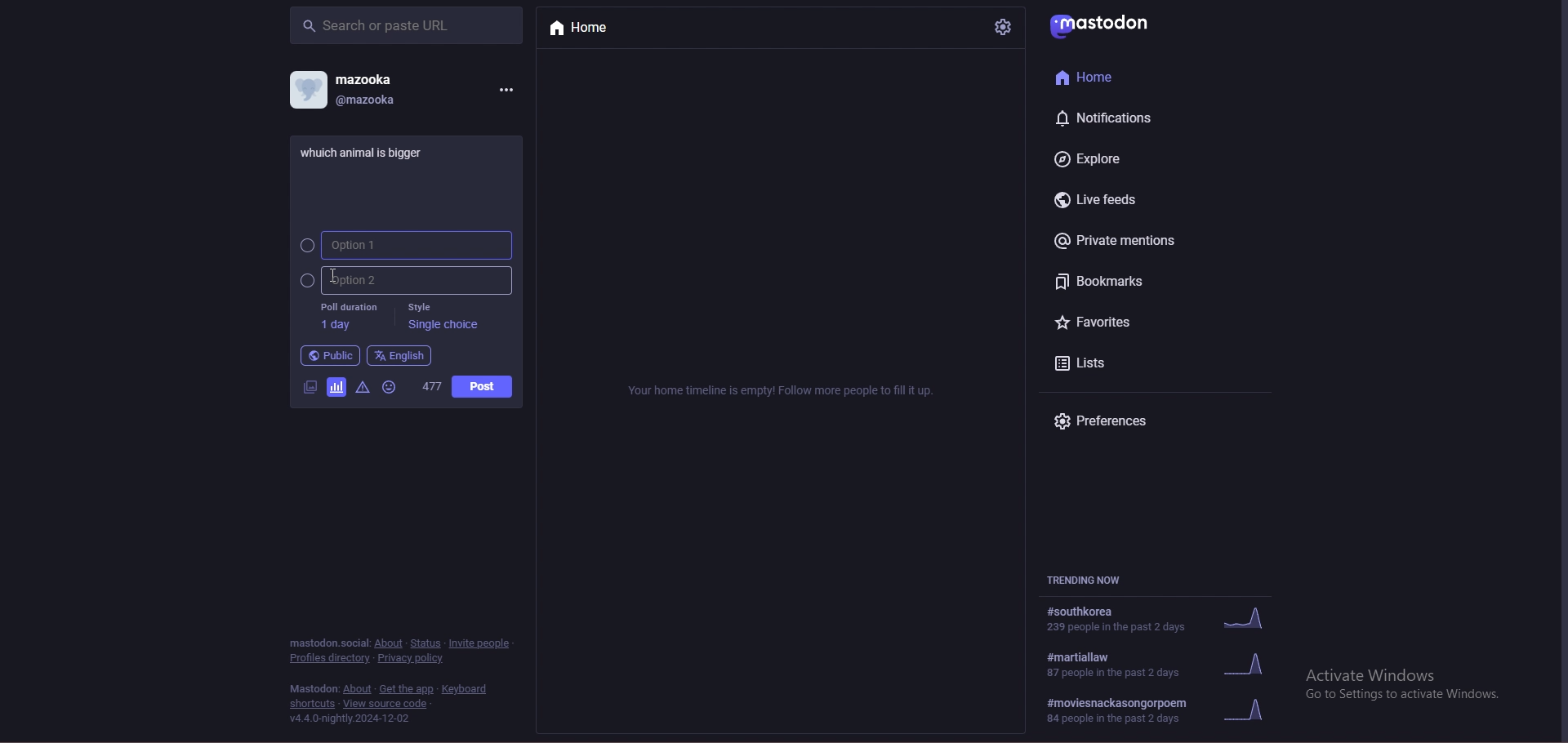  I want to click on status, so click(426, 643).